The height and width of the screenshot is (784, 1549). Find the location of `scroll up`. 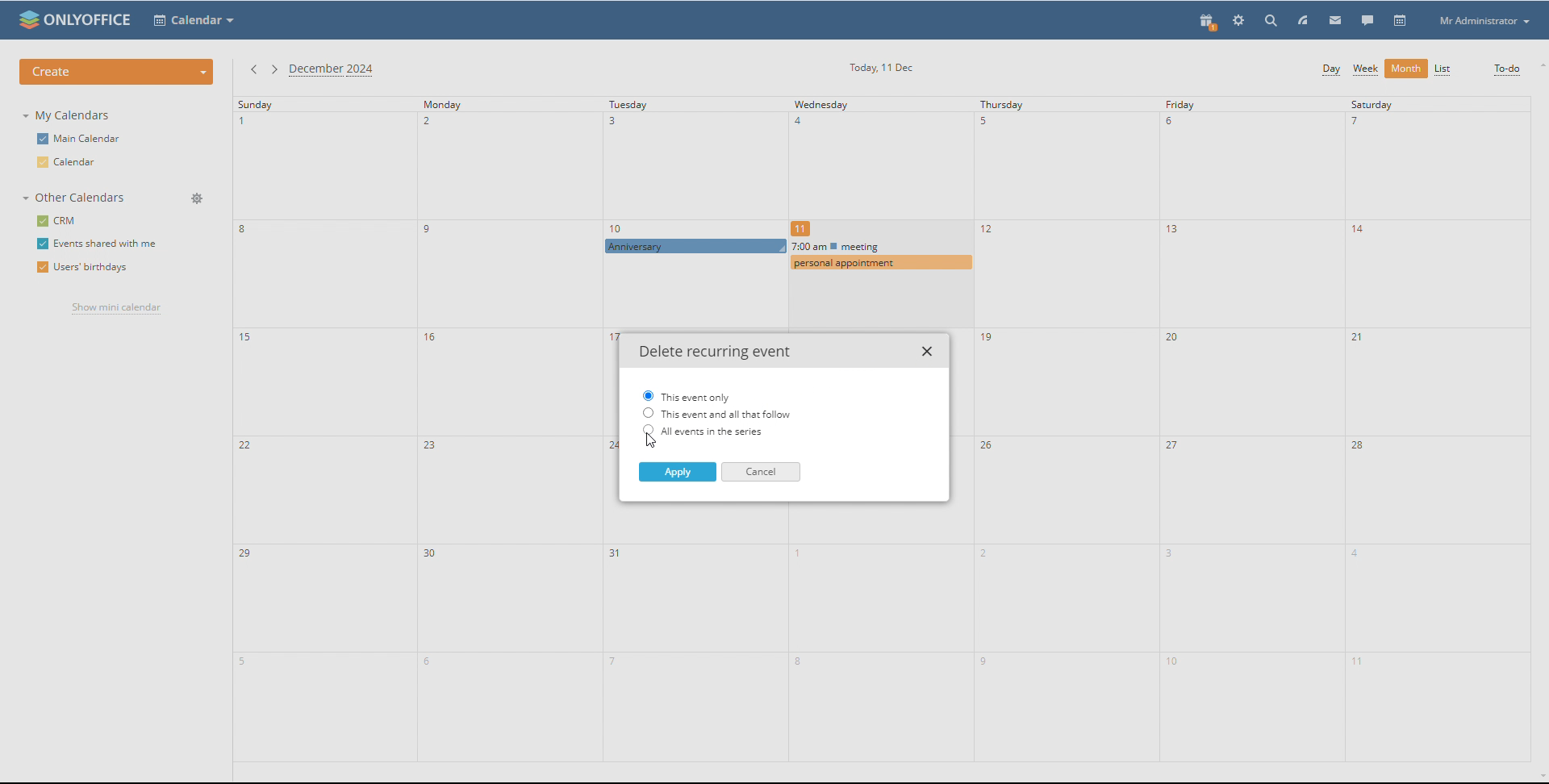

scroll up is located at coordinates (1539, 65).